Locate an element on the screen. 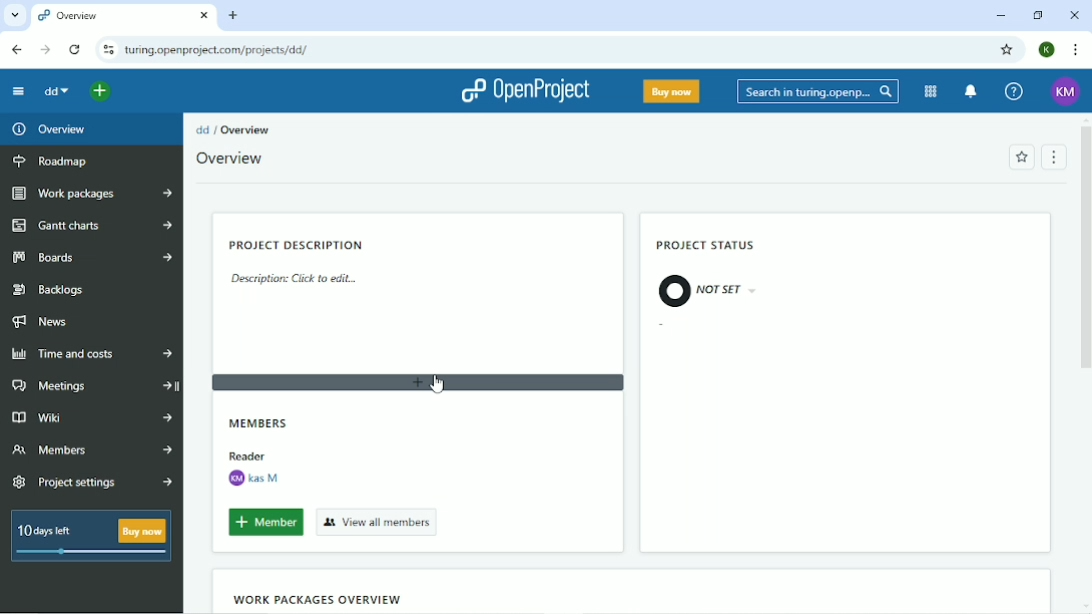 The width and height of the screenshot is (1092, 614). Vertical scrollbar is located at coordinates (1084, 247).